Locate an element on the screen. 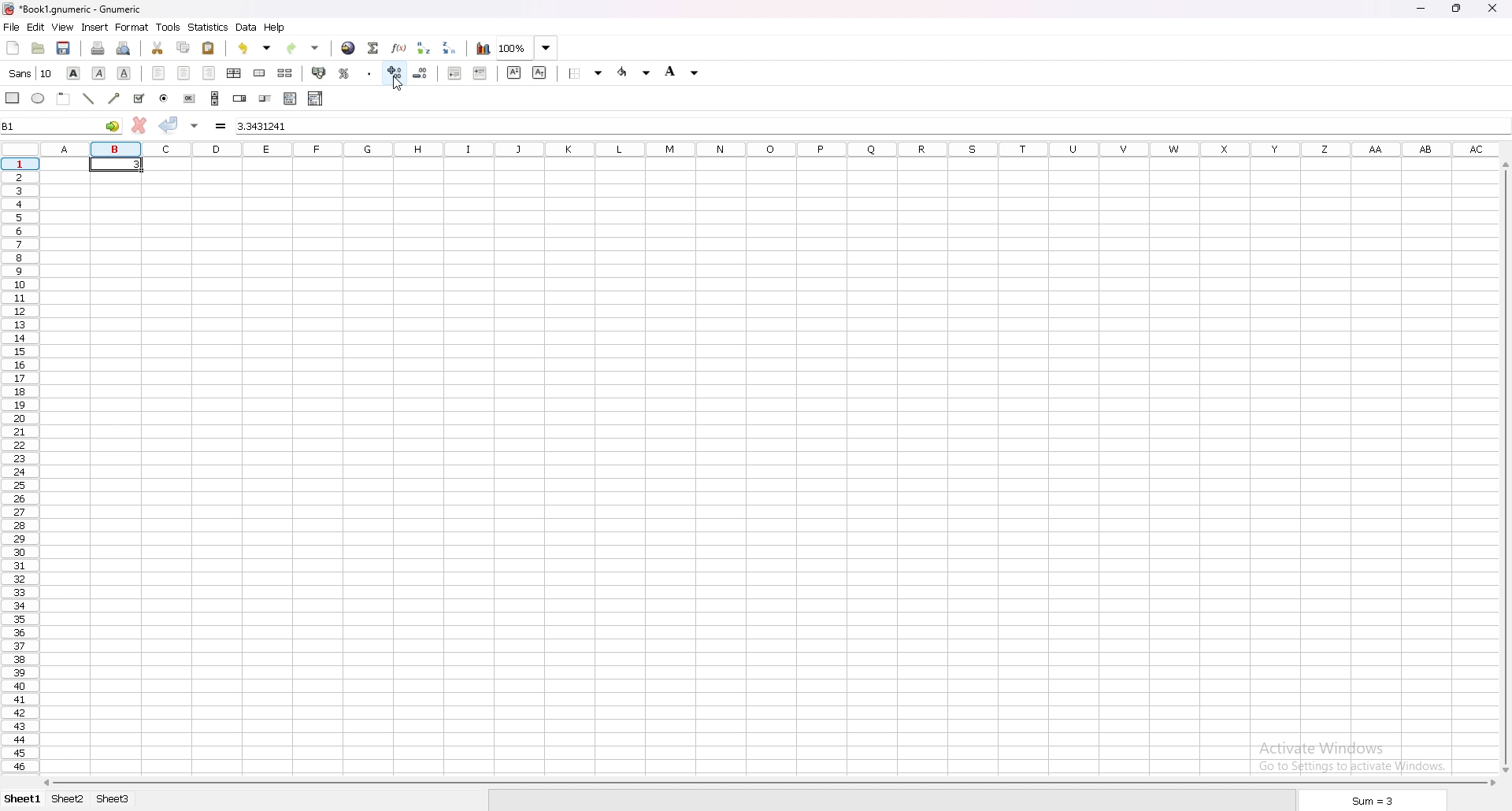 The image size is (1512, 811). background is located at coordinates (682, 73).